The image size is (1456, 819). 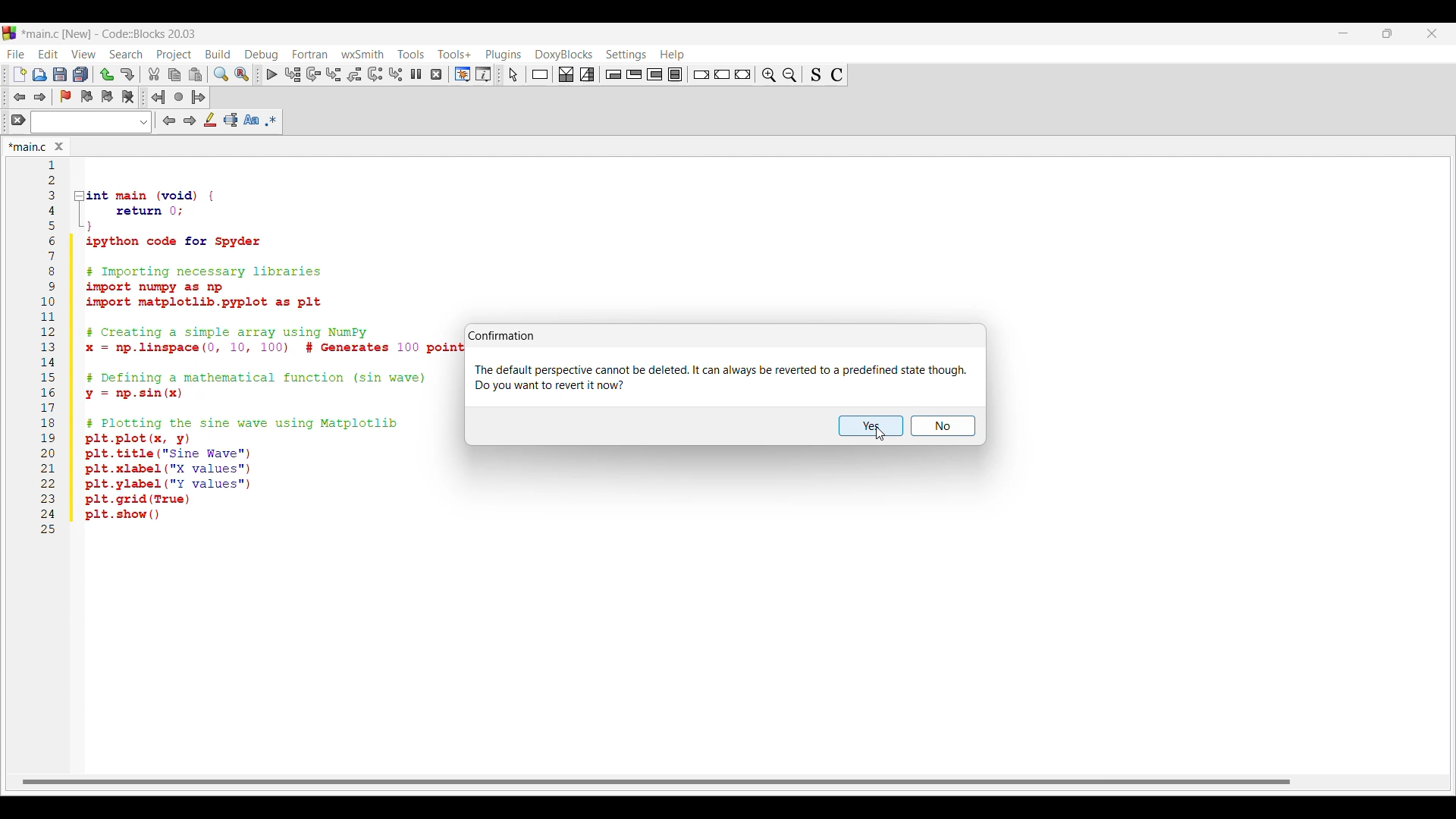 I want to click on Zoom in, so click(x=769, y=74).